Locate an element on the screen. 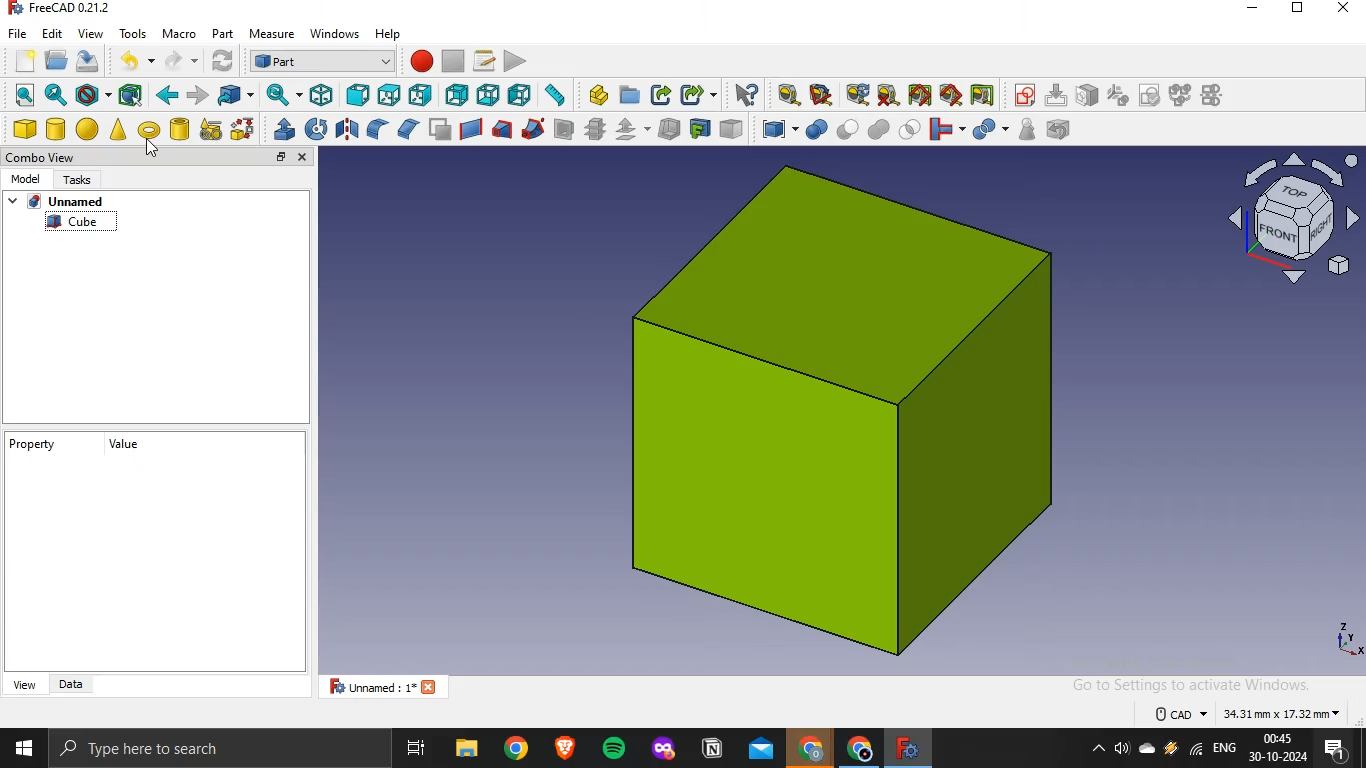 The image size is (1366, 768). sweep is located at coordinates (532, 129).